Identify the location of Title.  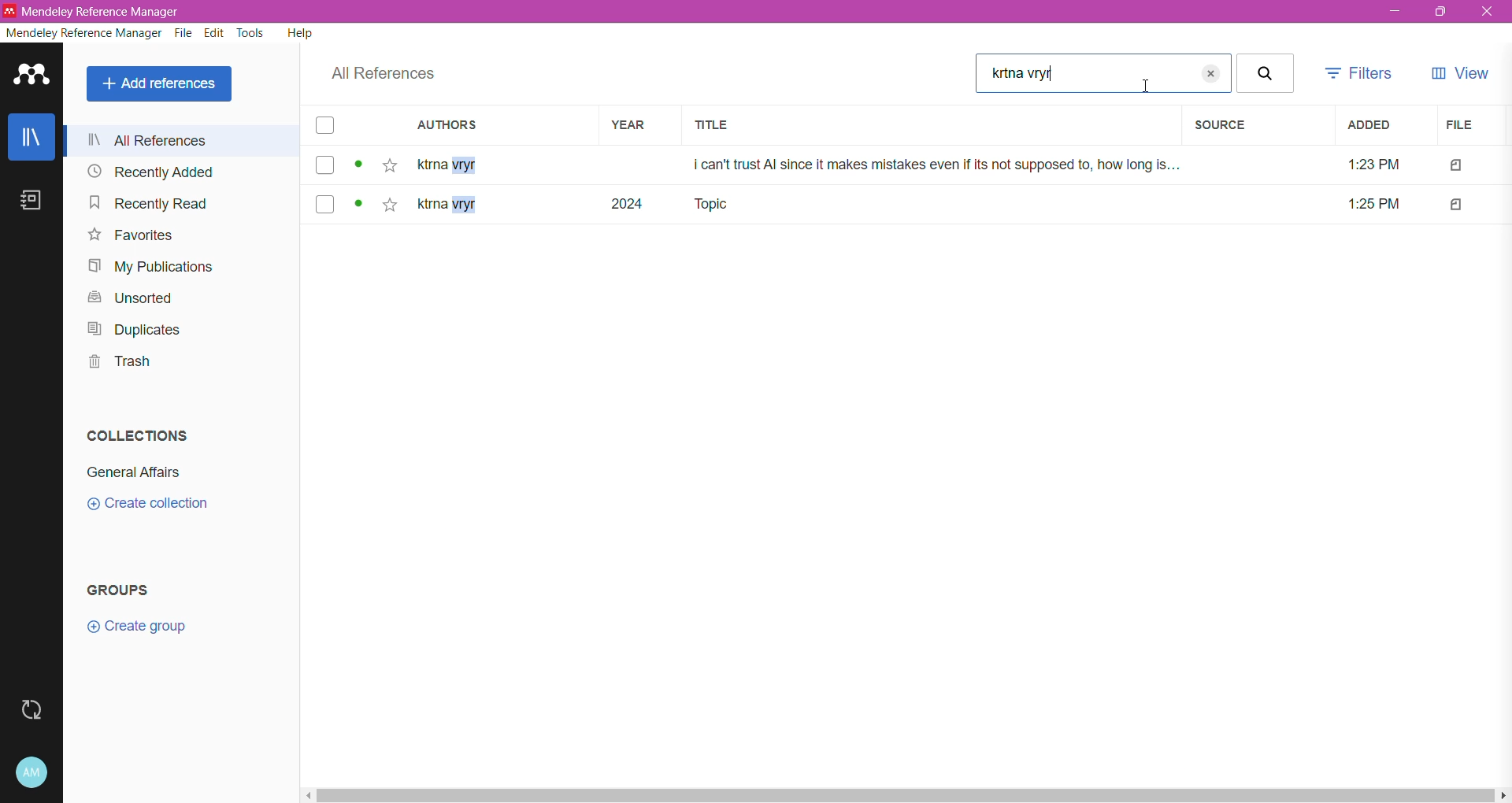
(930, 127).